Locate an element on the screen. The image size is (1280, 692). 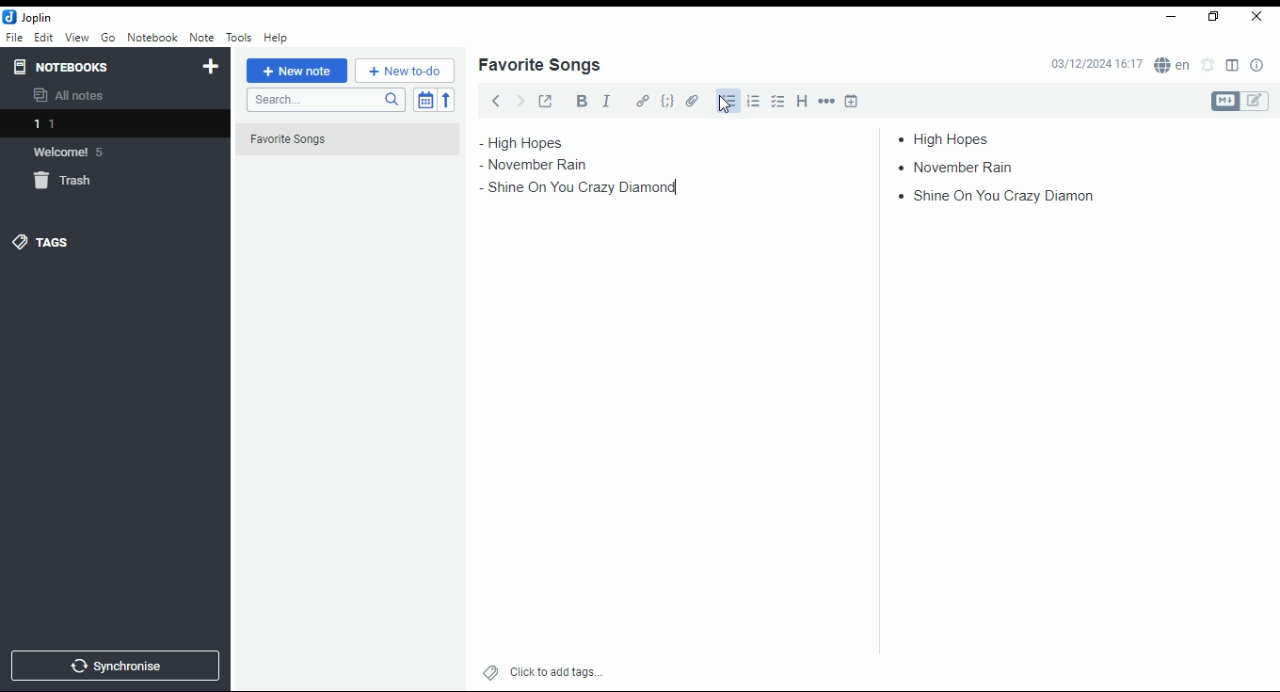
checkbox is located at coordinates (776, 103).